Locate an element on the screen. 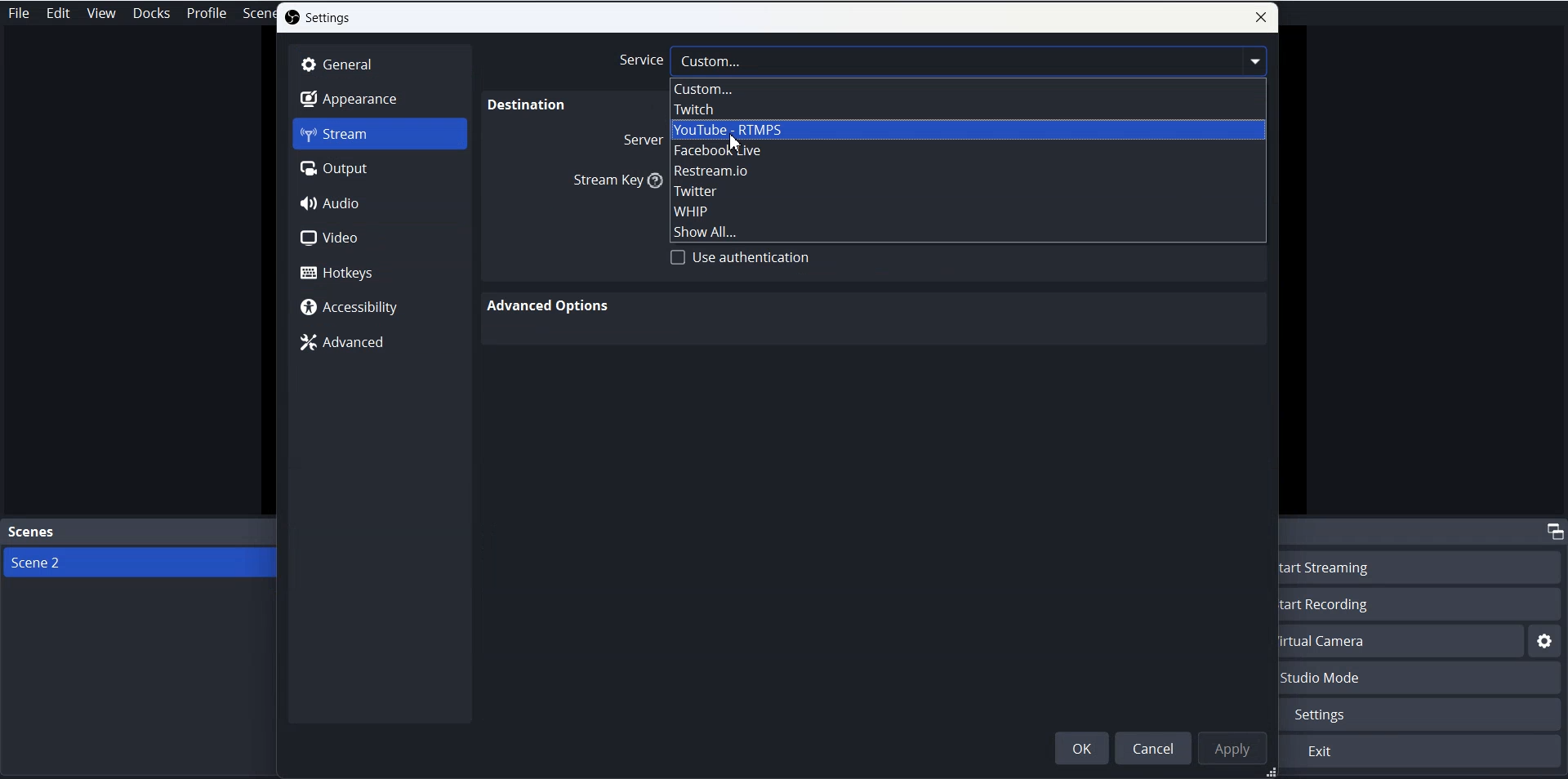  Edit is located at coordinates (59, 13).